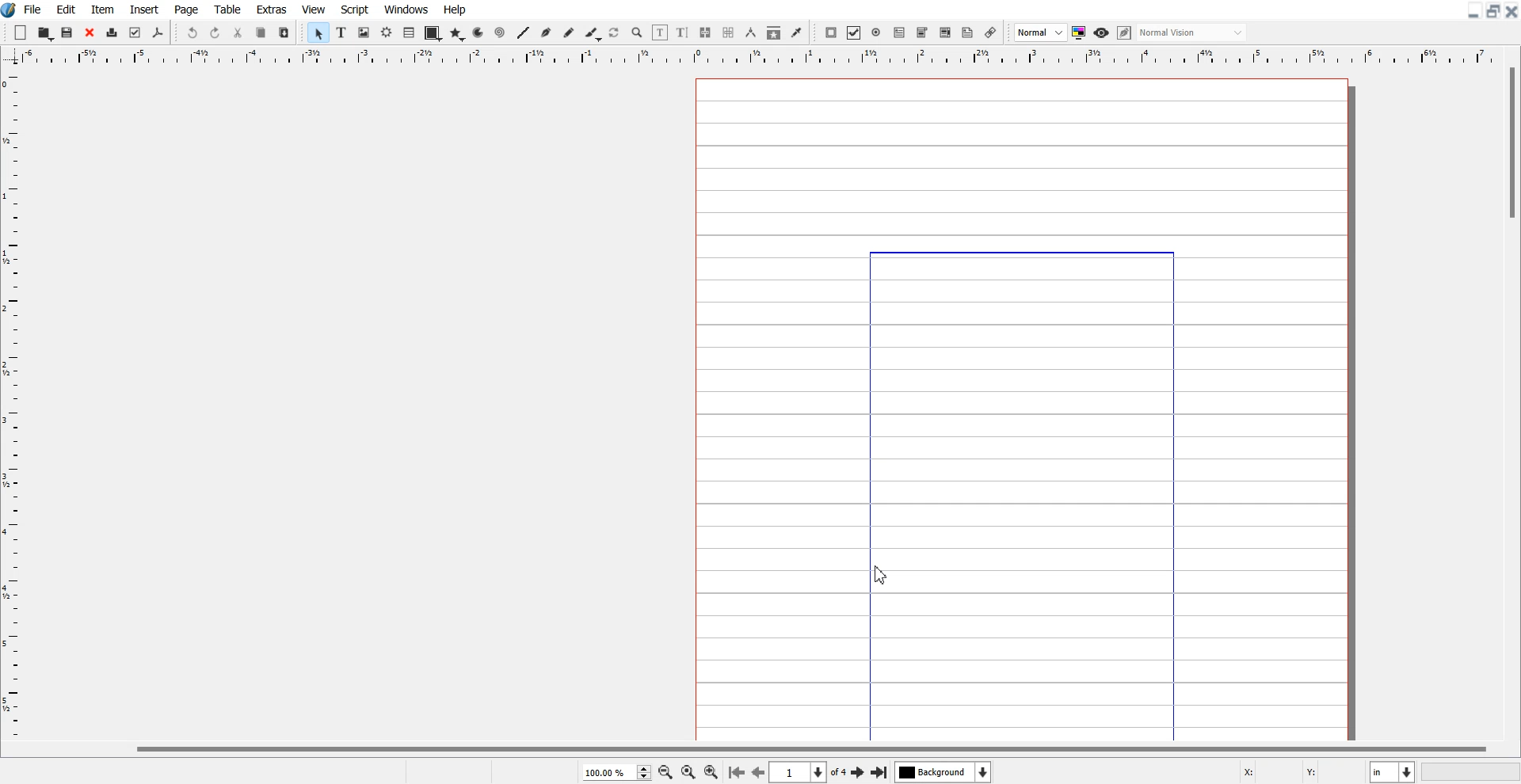 This screenshot has width=1521, height=784. Describe the element at coordinates (831, 32) in the screenshot. I see `PDF Push button` at that location.